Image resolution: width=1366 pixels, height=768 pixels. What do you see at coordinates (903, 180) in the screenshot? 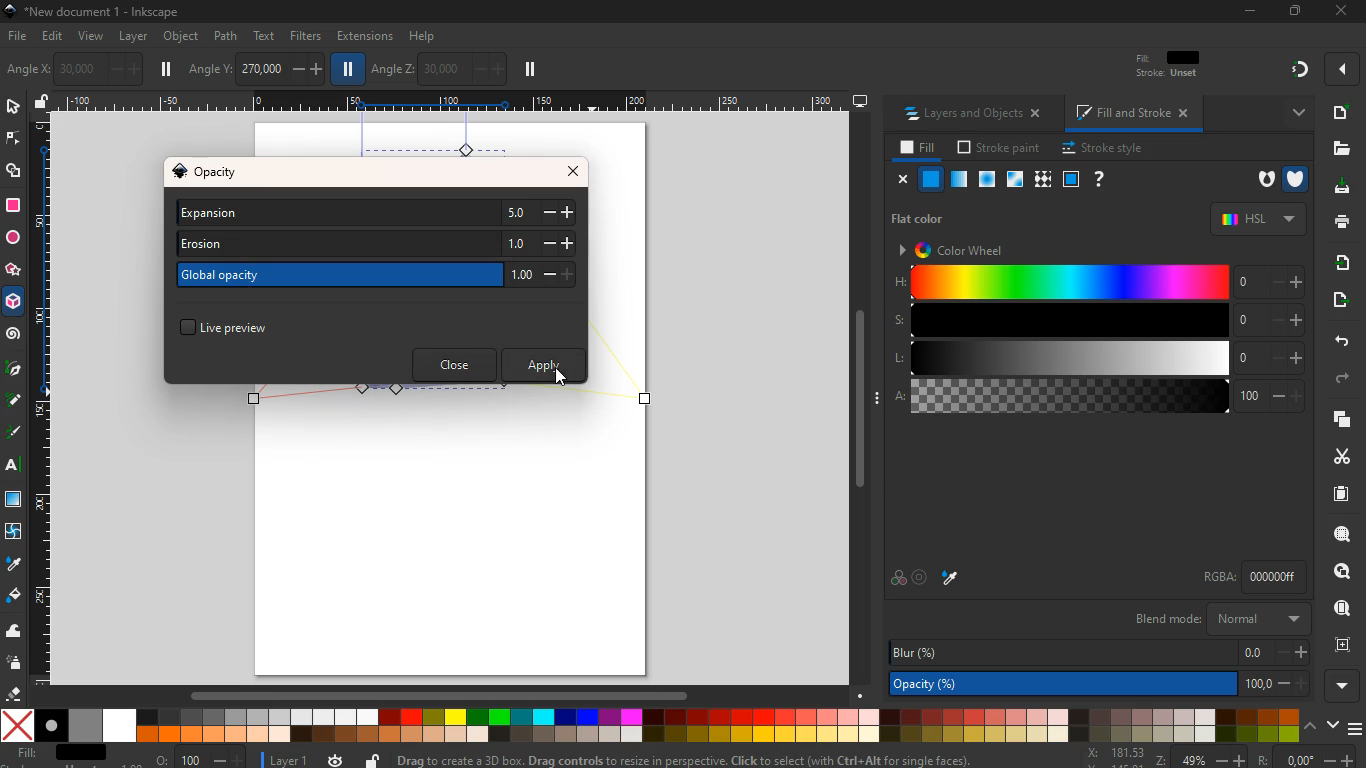
I see `close` at bounding box center [903, 180].